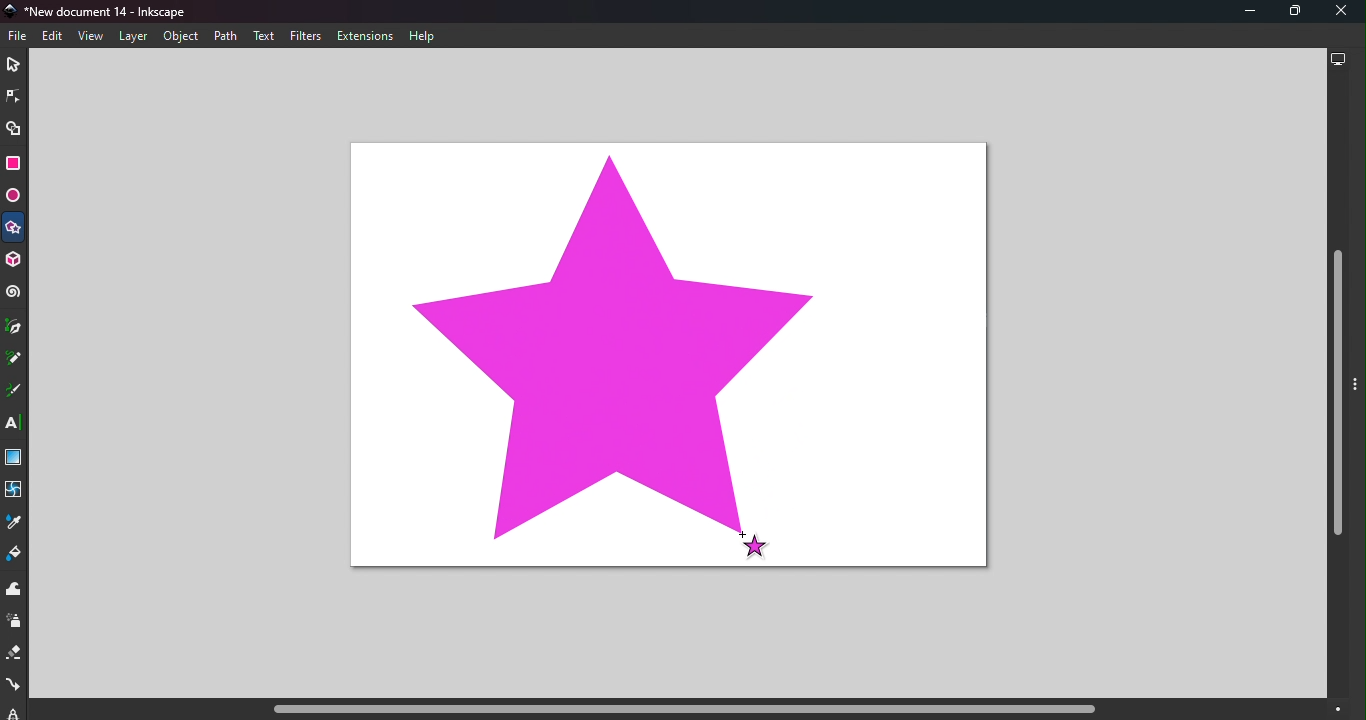 The width and height of the screenshot is (1366, 720). Describe the element at coordinates (13, 166) in the screenshot. I see `Rectangle tool` at that location.